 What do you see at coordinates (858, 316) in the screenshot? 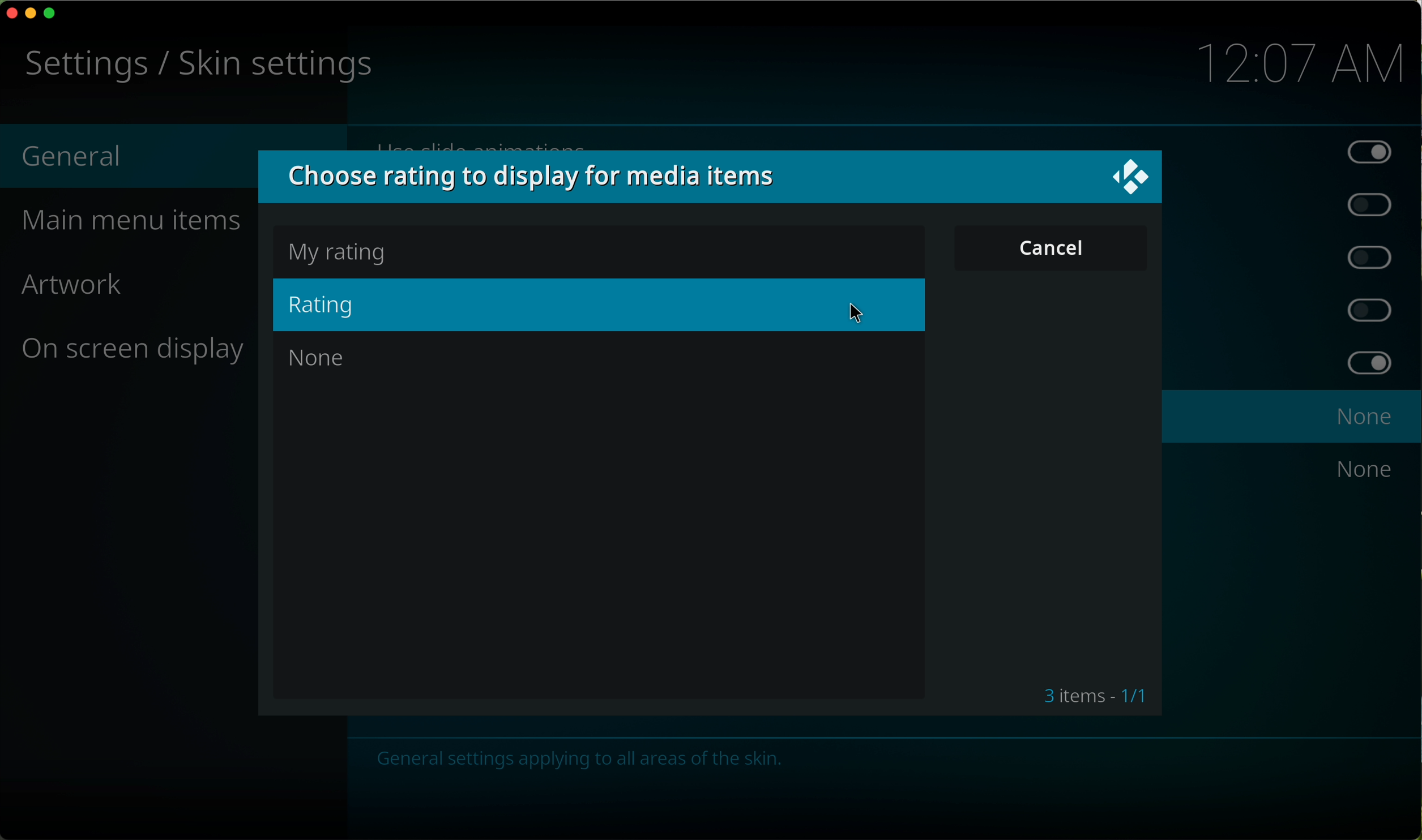
I see `cursor` at bounding box center [858, 316].